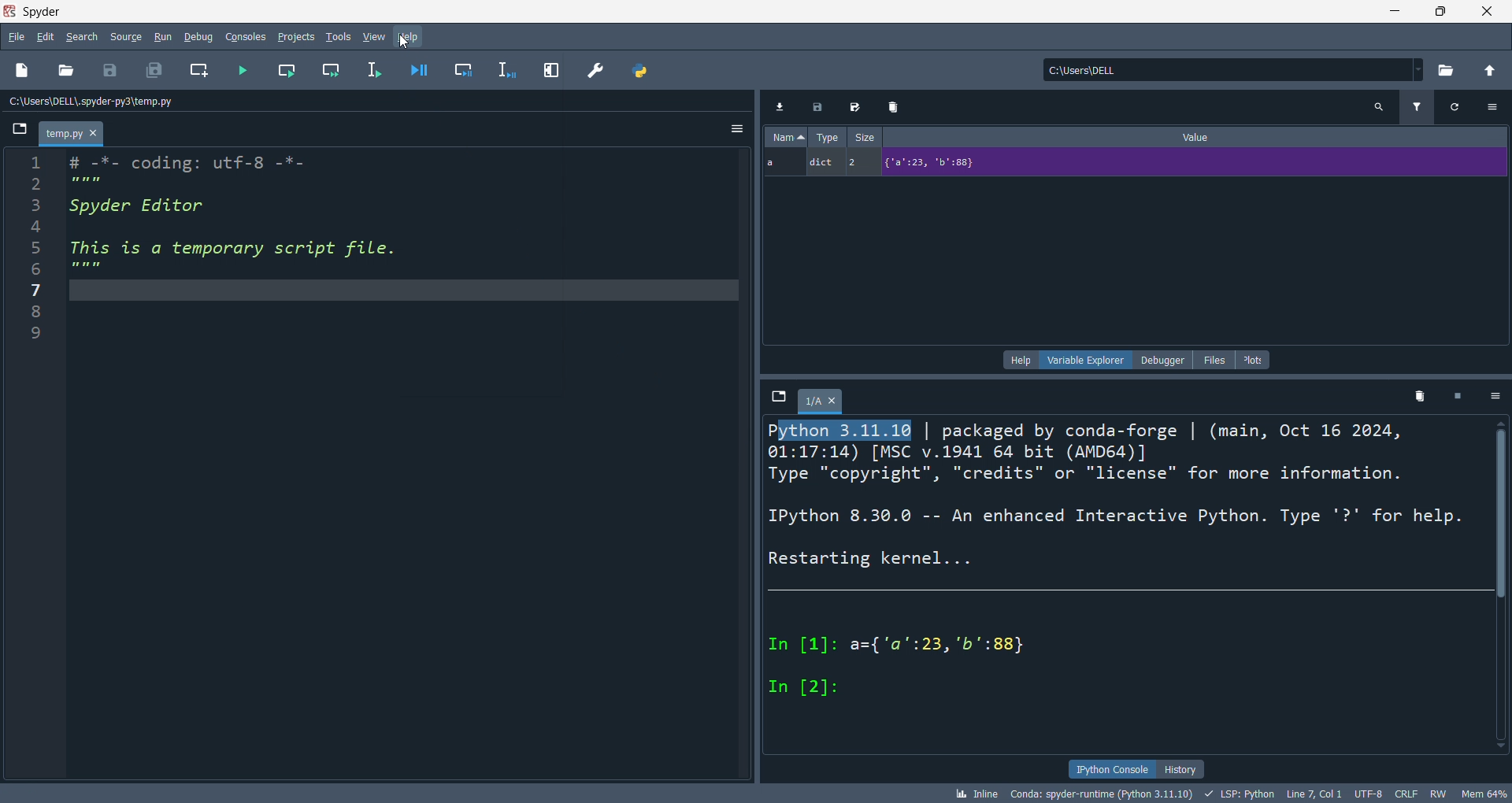 This screenshot has width=1512, height=803. What do you see at coordinates (156, 73) in the screenshot?
I see `save all` at bounding box center [156, 73].